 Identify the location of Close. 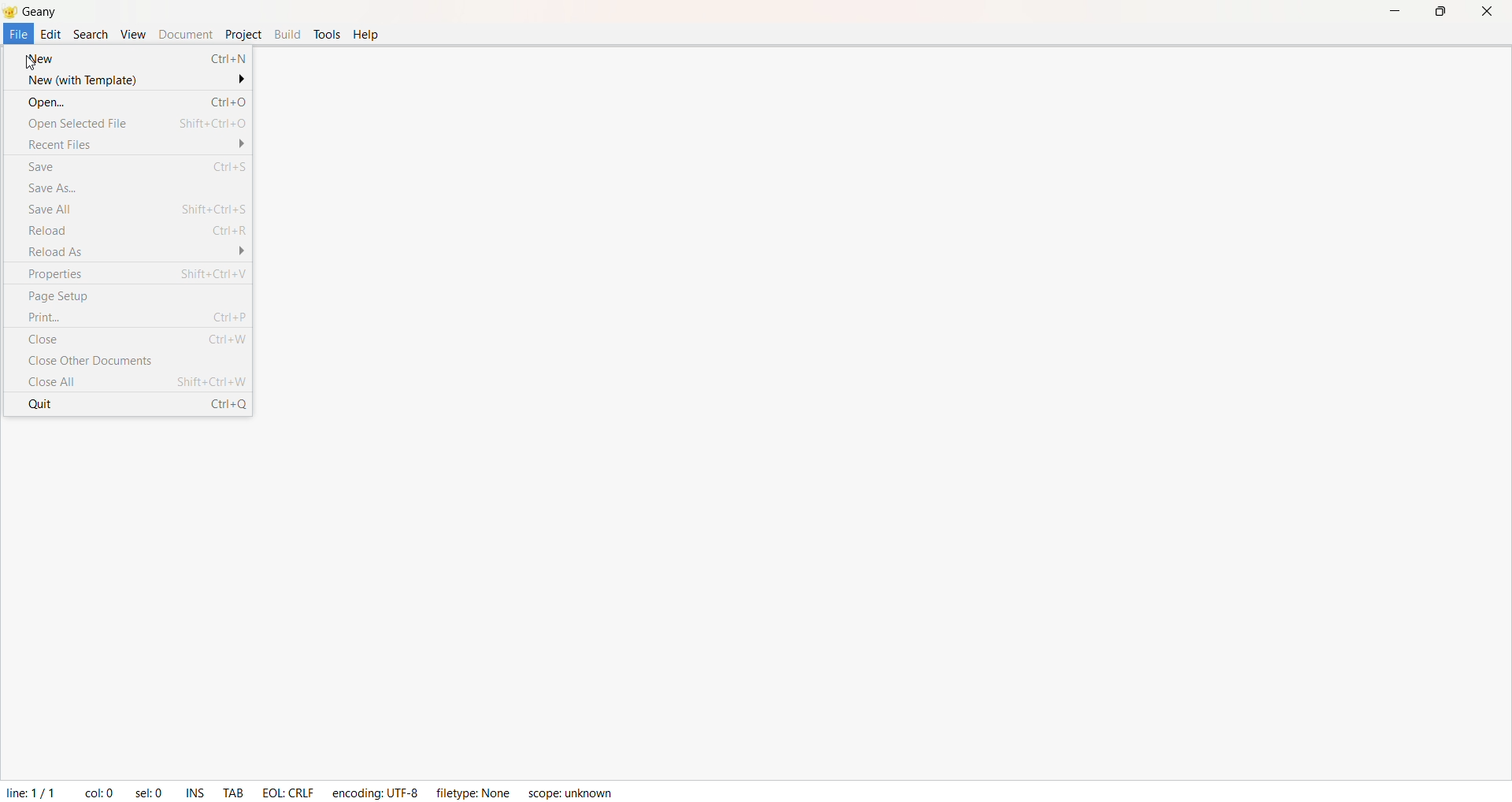
(139, 340).